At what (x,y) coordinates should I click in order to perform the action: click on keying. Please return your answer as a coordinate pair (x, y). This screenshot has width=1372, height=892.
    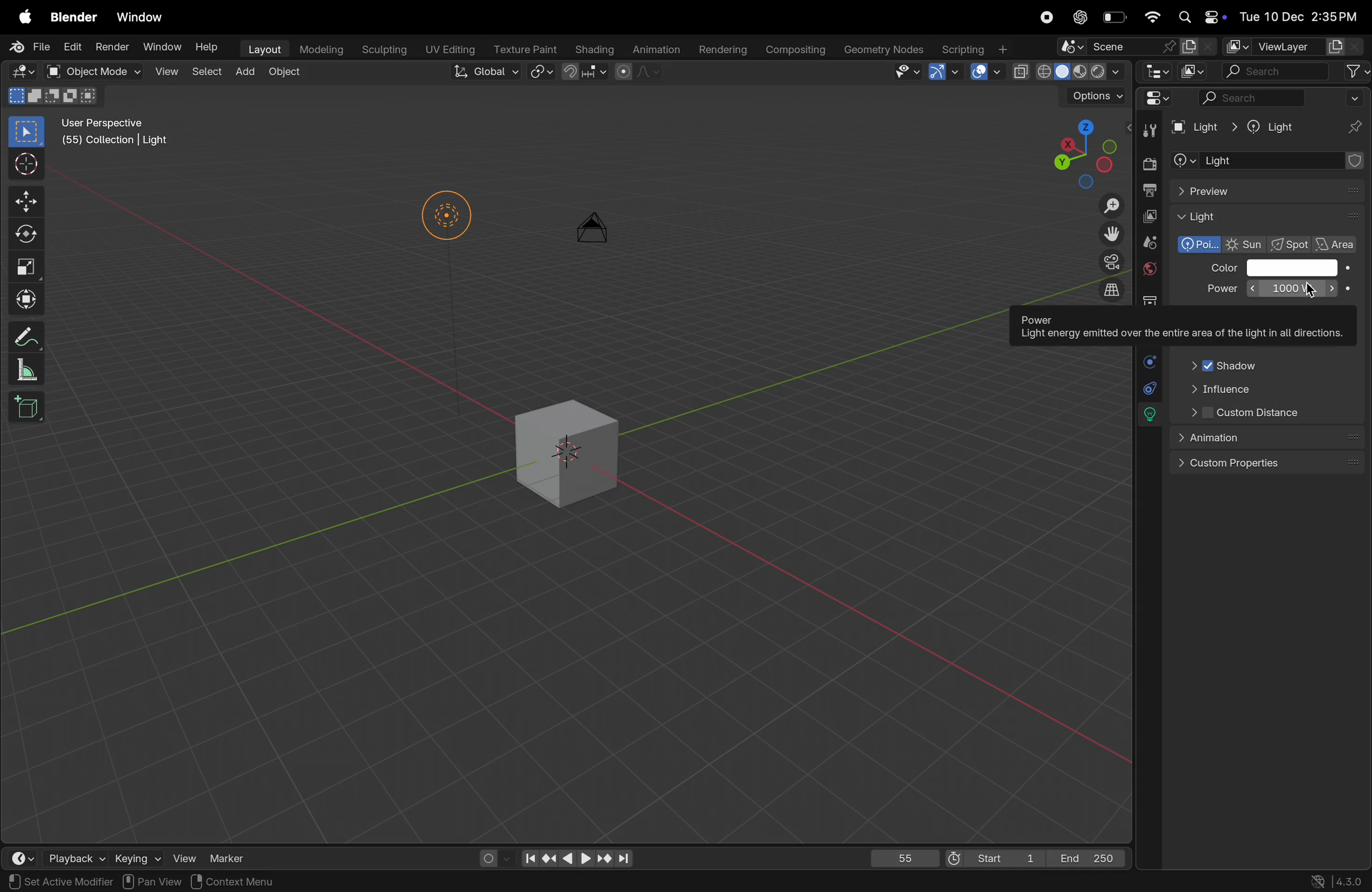
    Looking at the image, I should click on (138, 857).